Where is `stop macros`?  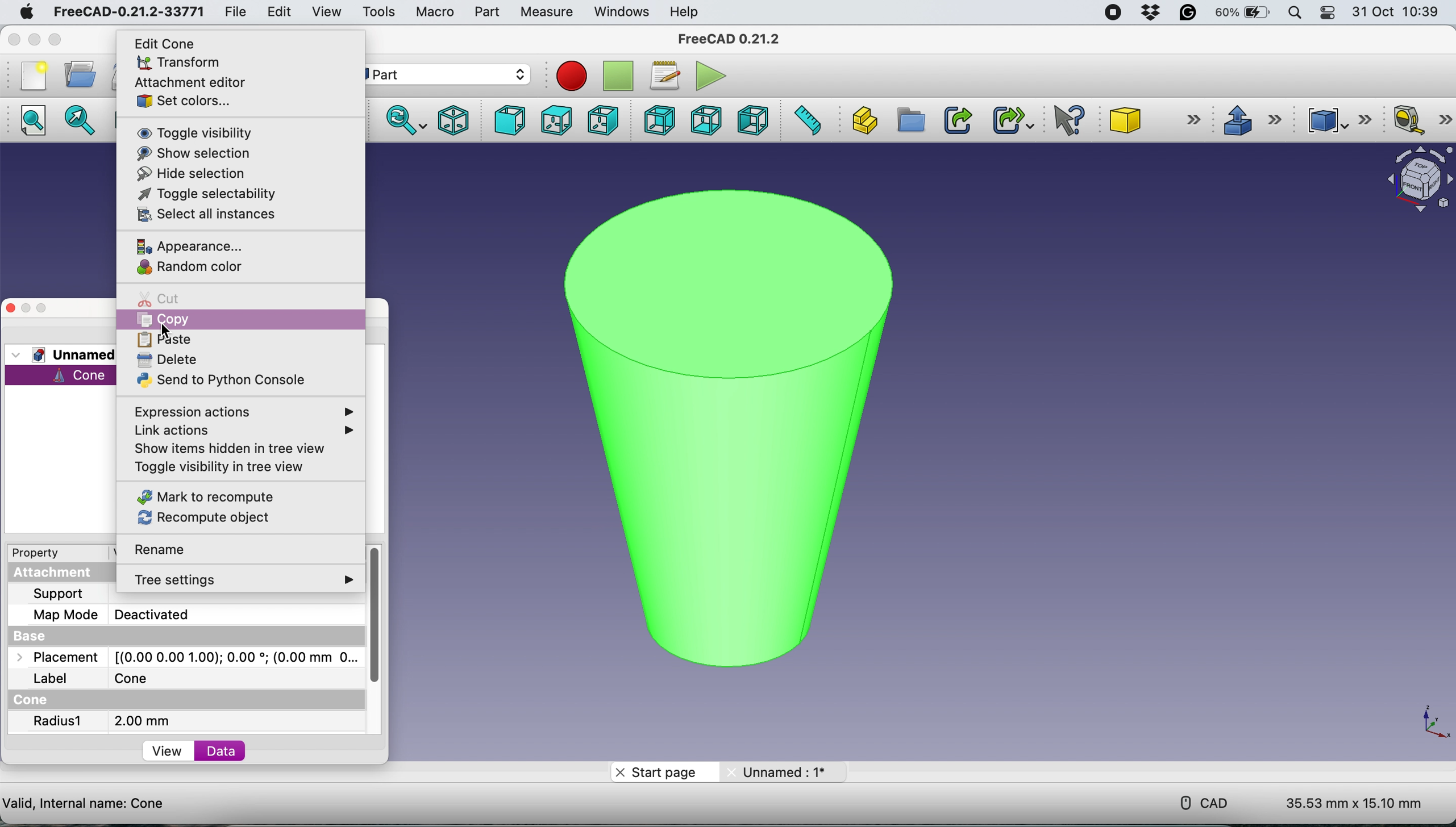 stop macros is located at coordinates (568, 76).